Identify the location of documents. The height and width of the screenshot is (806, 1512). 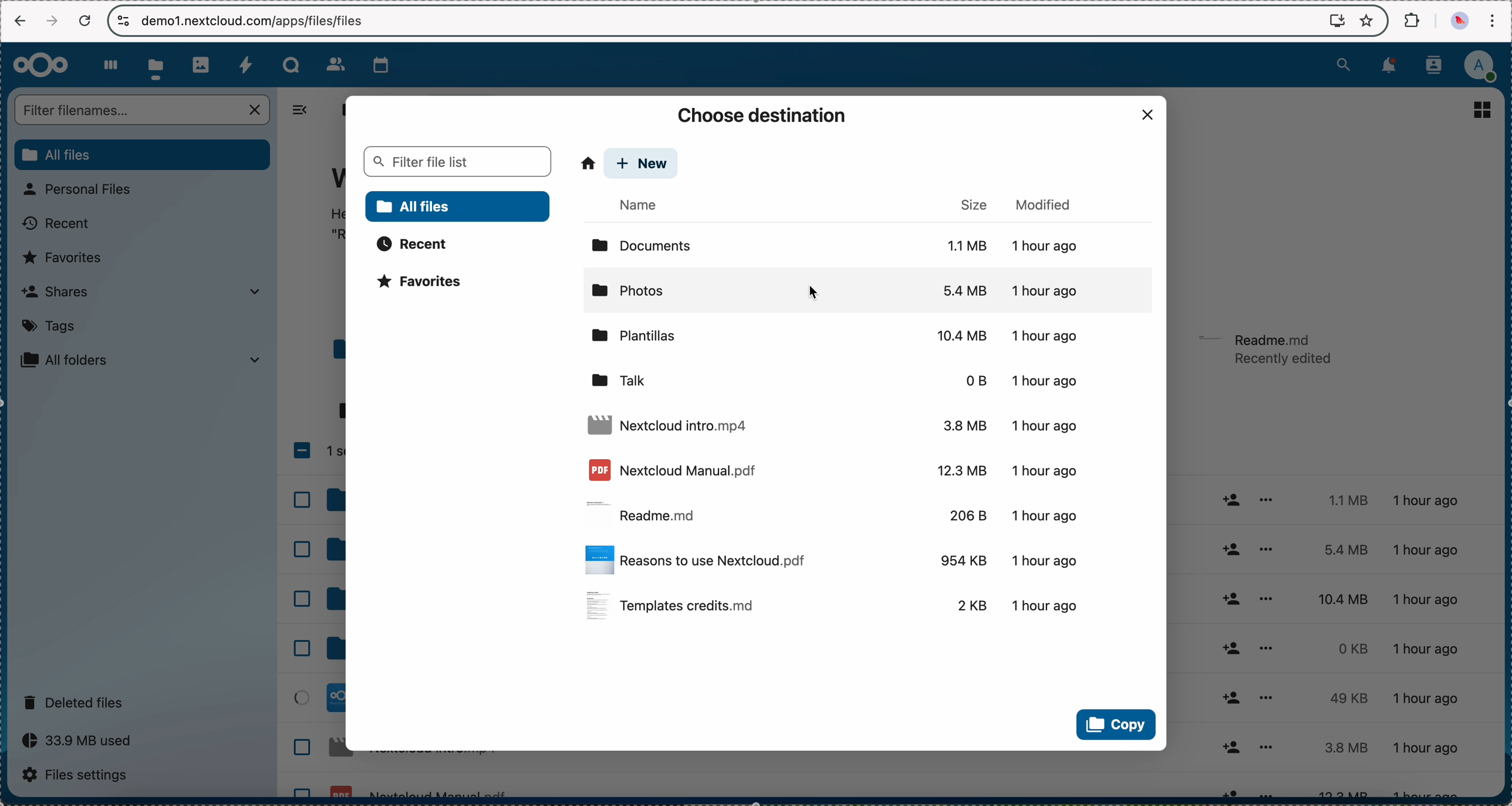
(840, 243).